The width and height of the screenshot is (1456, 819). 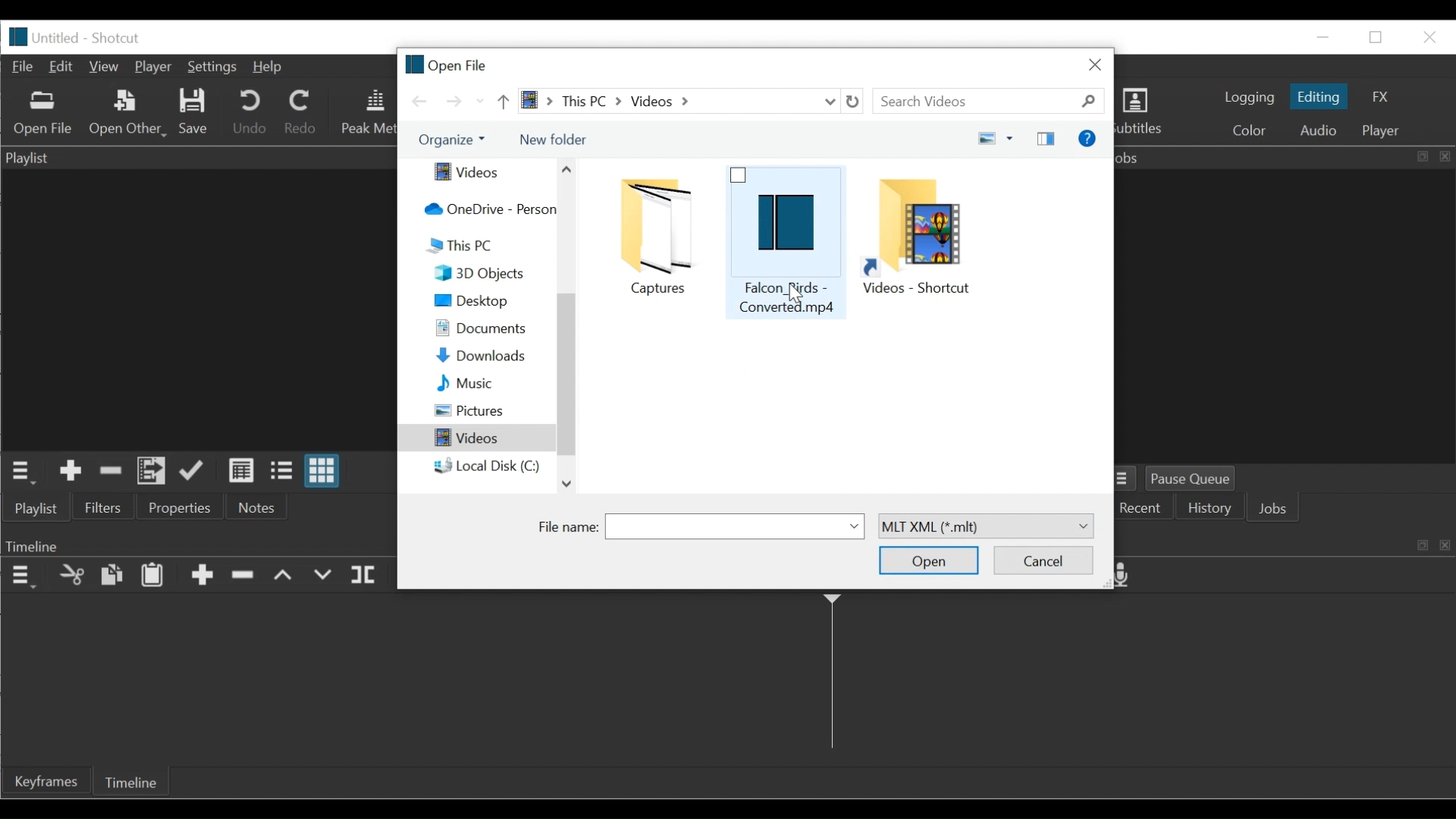 I want to click on Get help, so click(x=1086, y=138).